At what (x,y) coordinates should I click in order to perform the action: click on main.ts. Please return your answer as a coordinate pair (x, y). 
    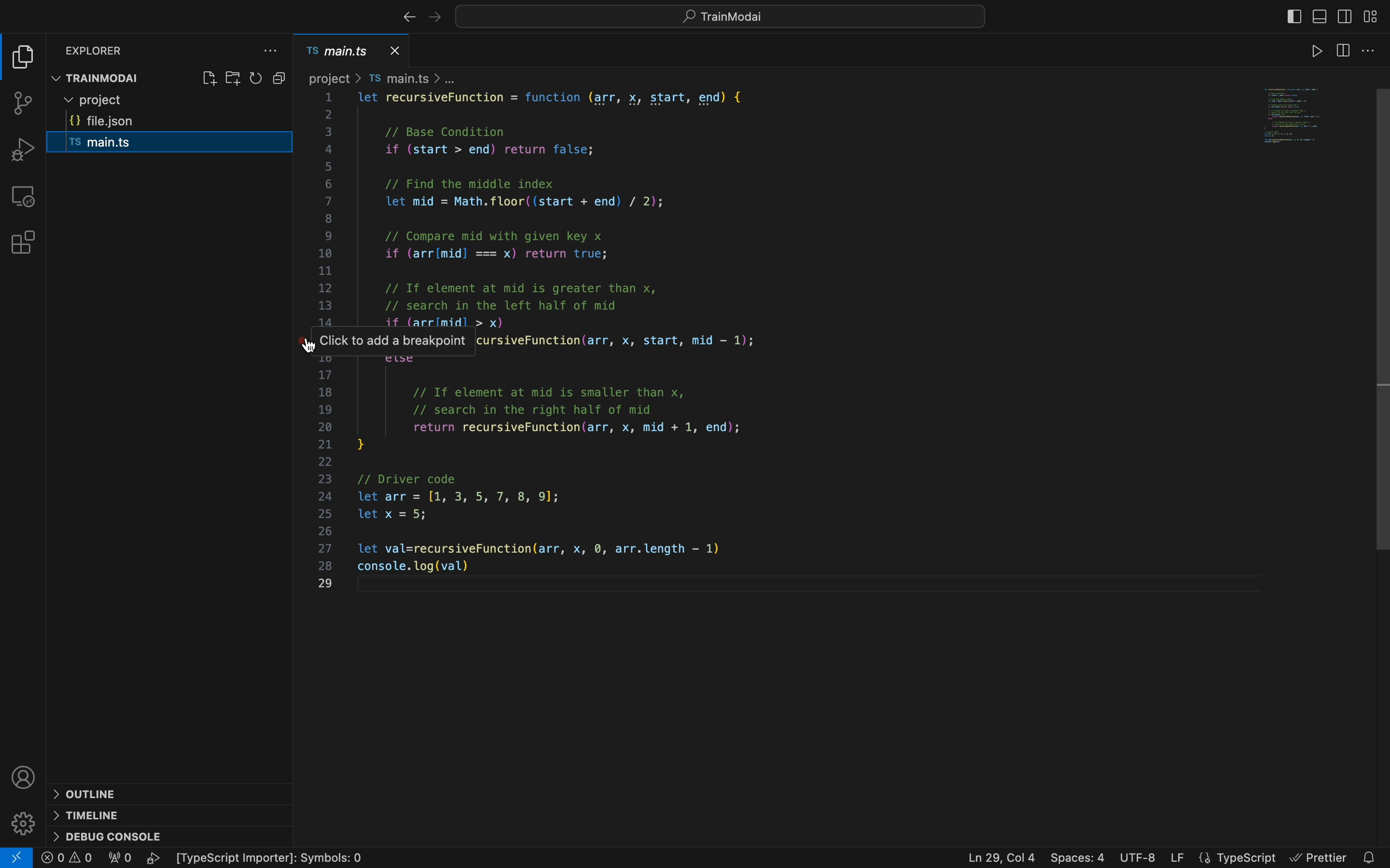
    Looking at the image, I should click on (352, 49).